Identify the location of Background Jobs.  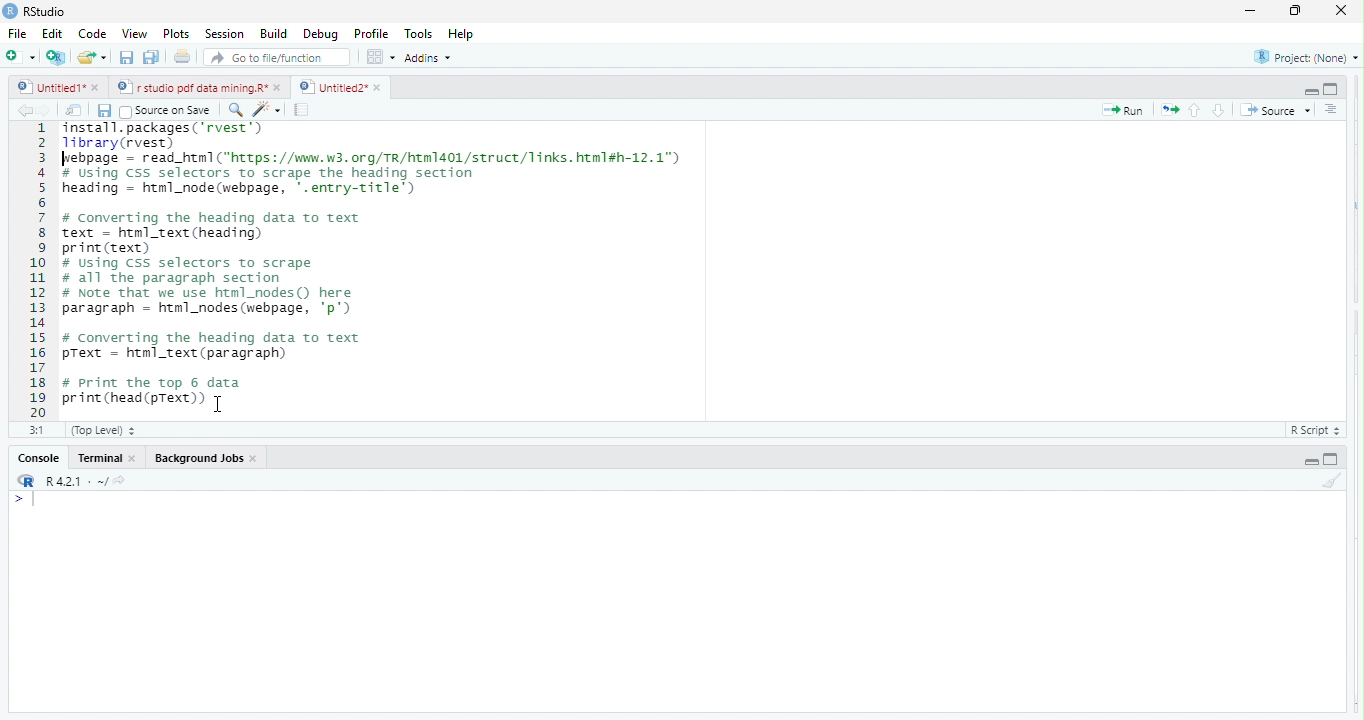
(196, 456).